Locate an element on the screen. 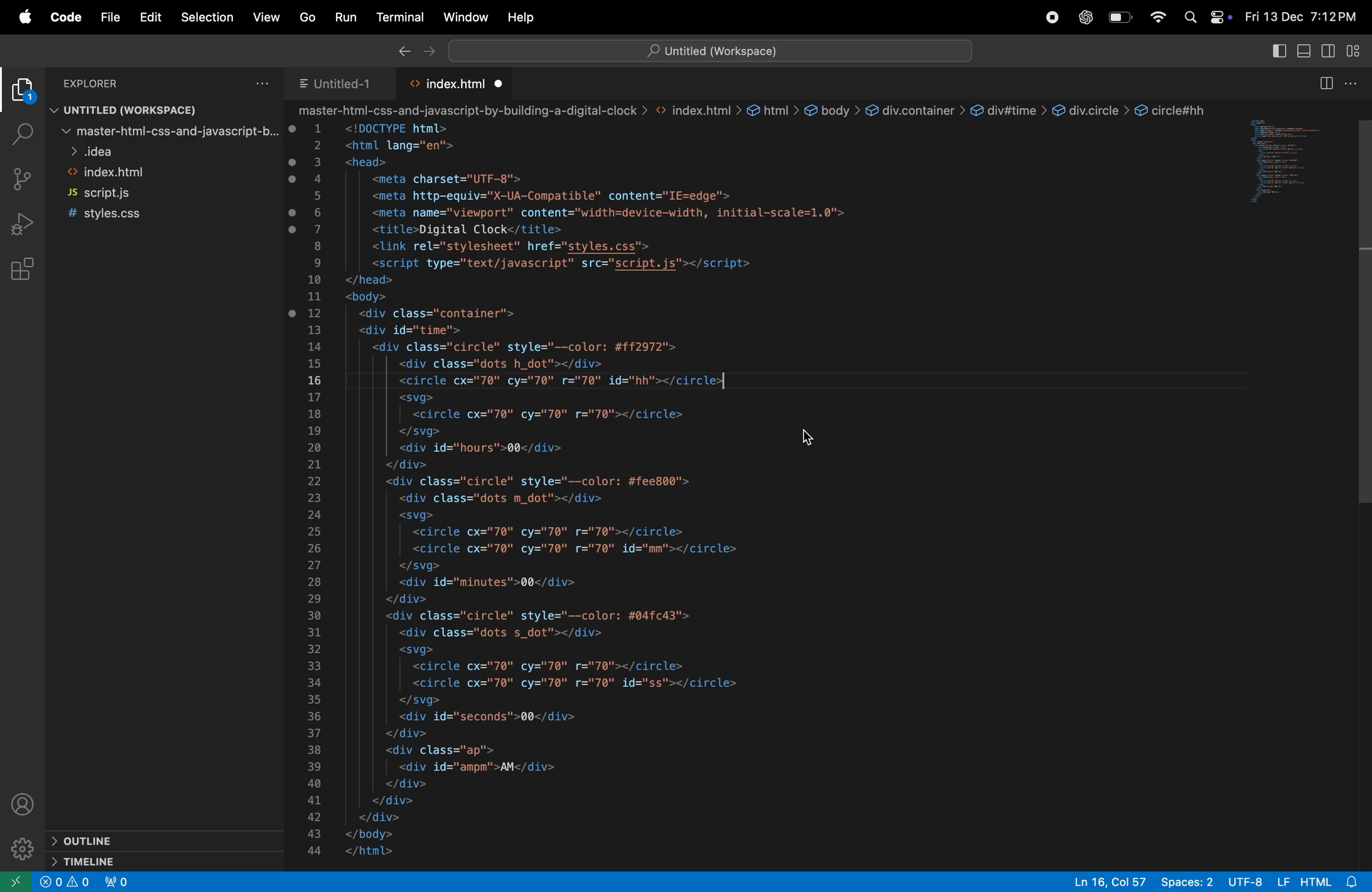 Image resolution: width=1372 pixels, height=892 pixels. untitled workspace is located at coordinates (126, 112).